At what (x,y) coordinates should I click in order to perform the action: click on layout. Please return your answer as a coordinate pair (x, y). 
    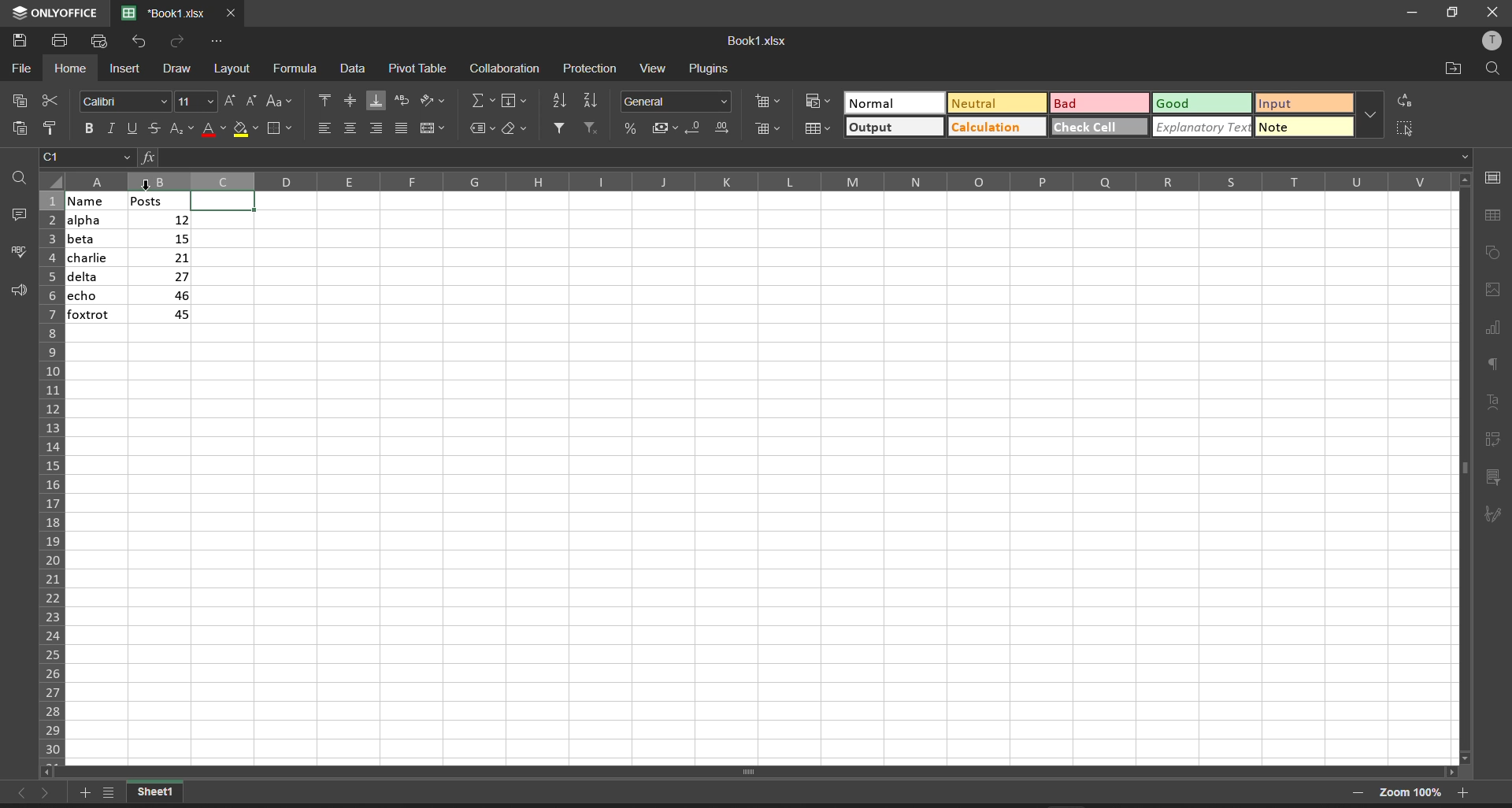
    Looking at the image, I should click on (235, 70).